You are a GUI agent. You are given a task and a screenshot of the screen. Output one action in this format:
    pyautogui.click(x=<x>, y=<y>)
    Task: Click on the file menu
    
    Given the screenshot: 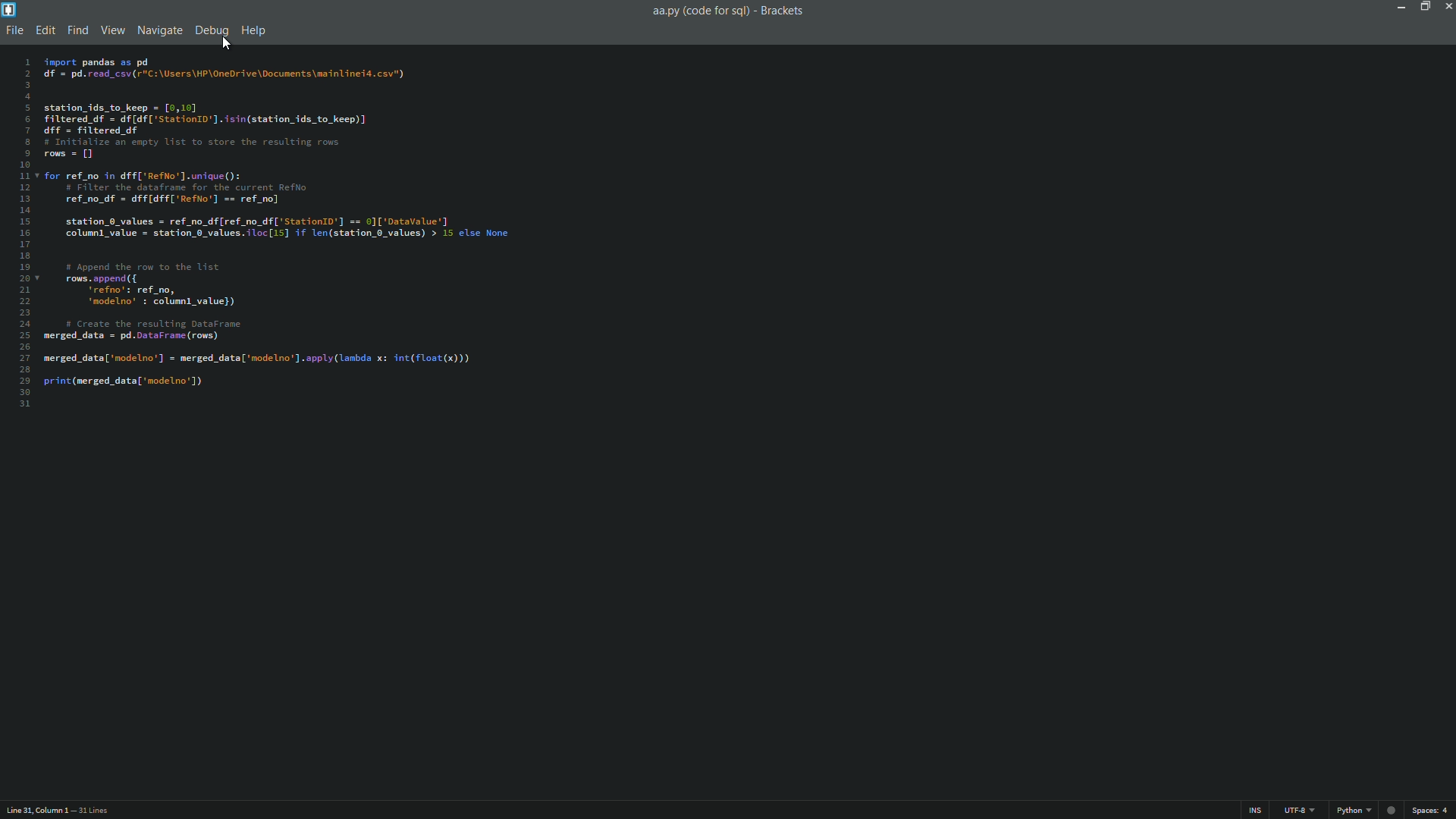 What is the action you would take?
    pyautogui.click(x=17, y=31)
    